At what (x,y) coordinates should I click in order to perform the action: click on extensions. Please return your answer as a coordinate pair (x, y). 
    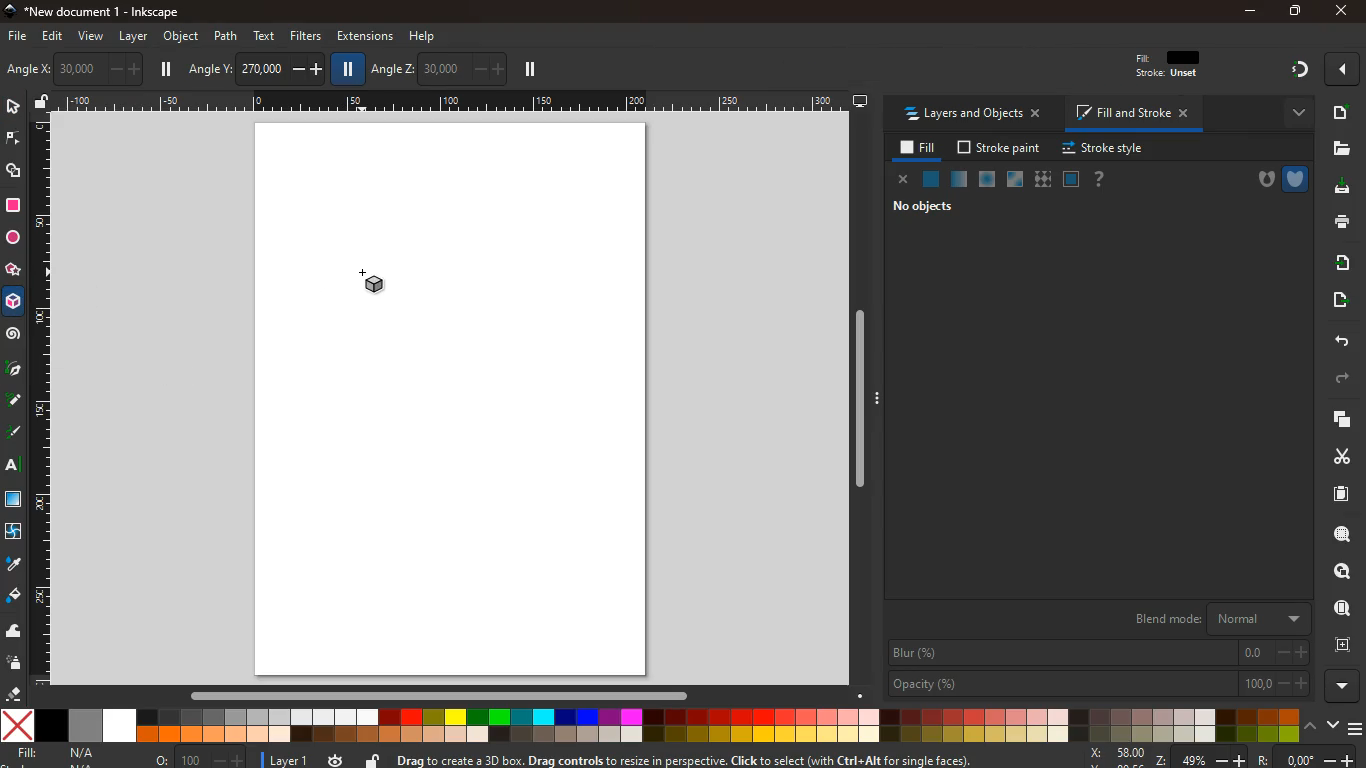
    Looking at the image, I should click on (364, 36).